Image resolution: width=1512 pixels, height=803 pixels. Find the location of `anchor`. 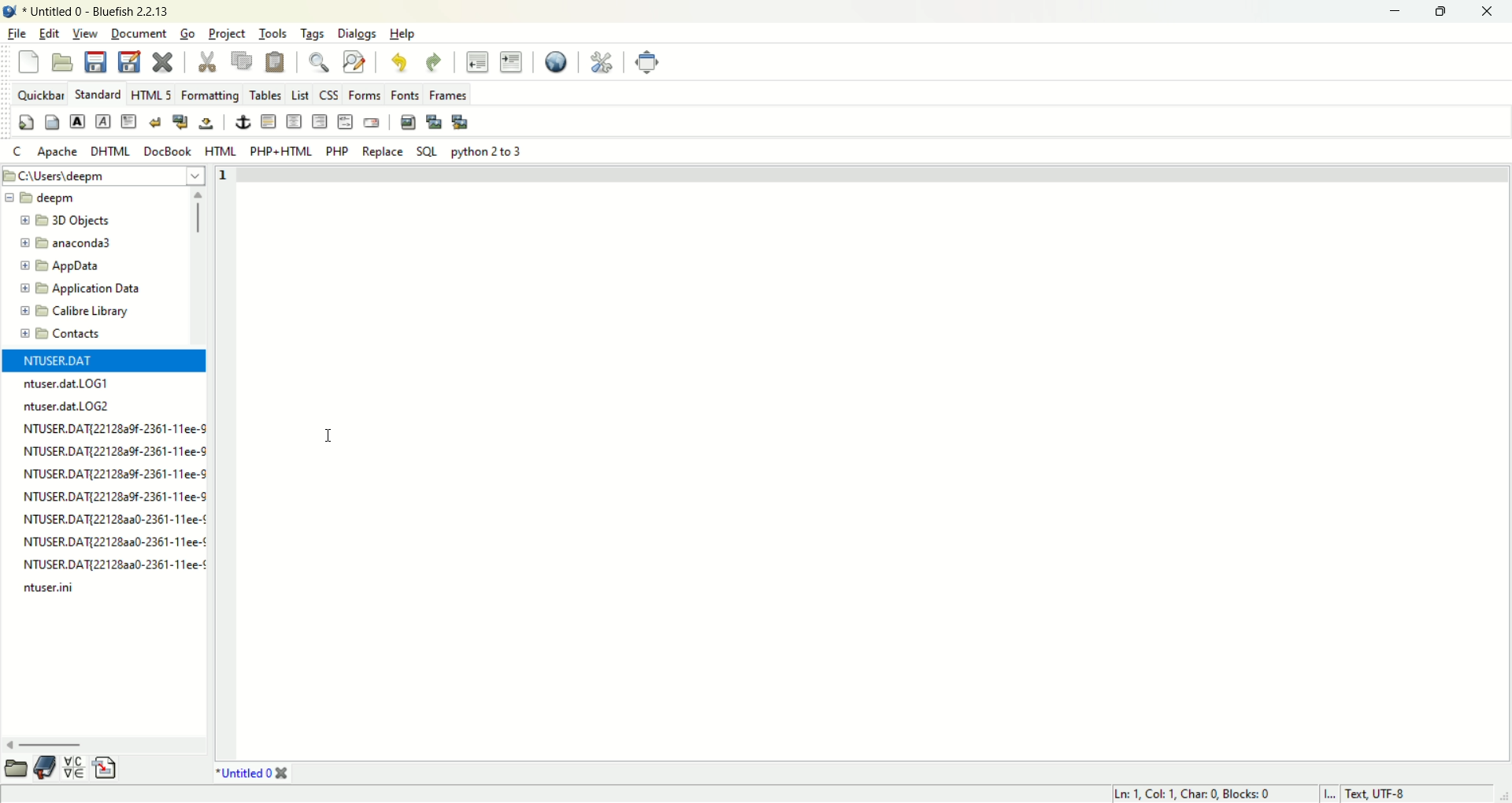

anchor is located at coordinates (243, 122).